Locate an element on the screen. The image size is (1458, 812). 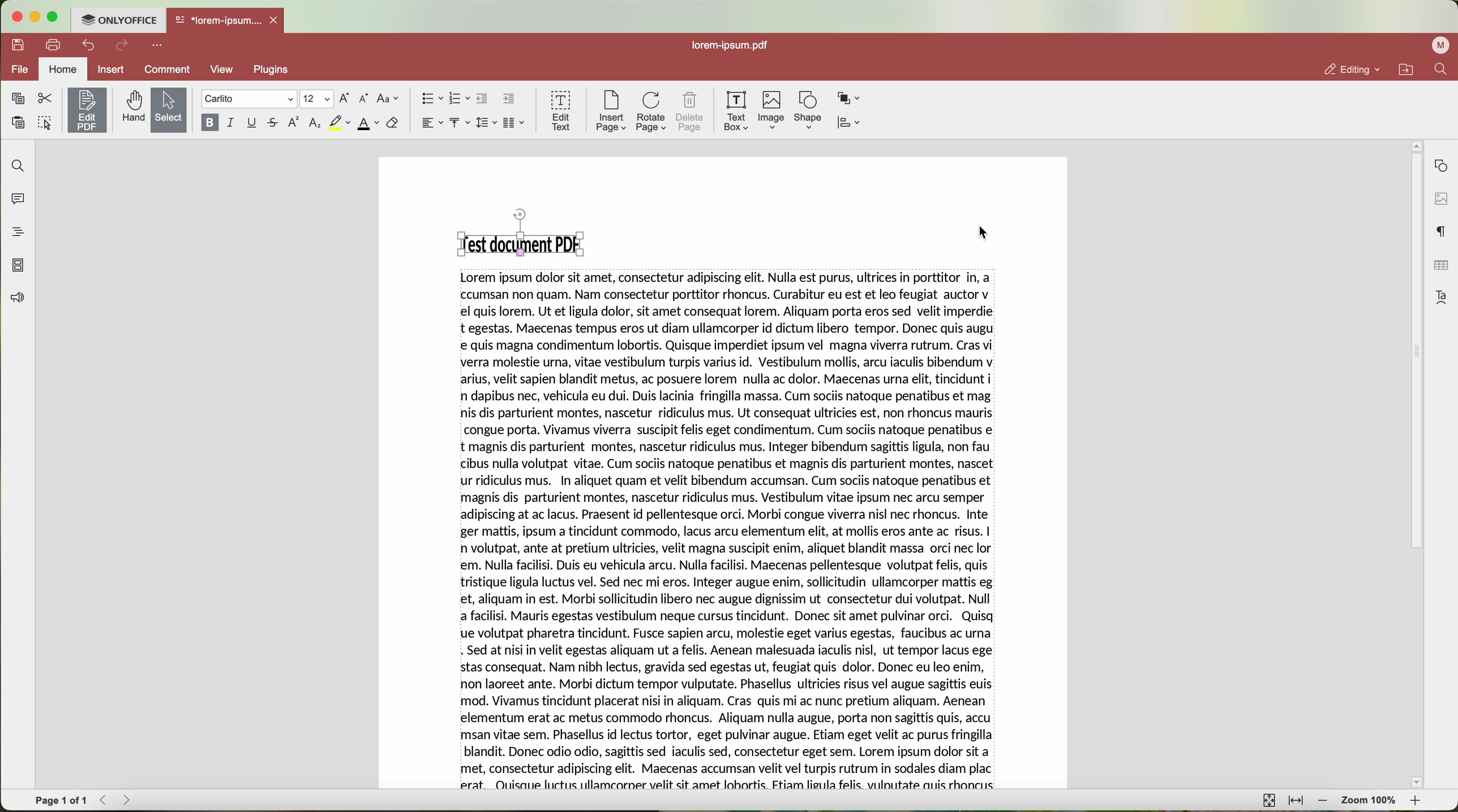
find is located at coordinates (19, 166).